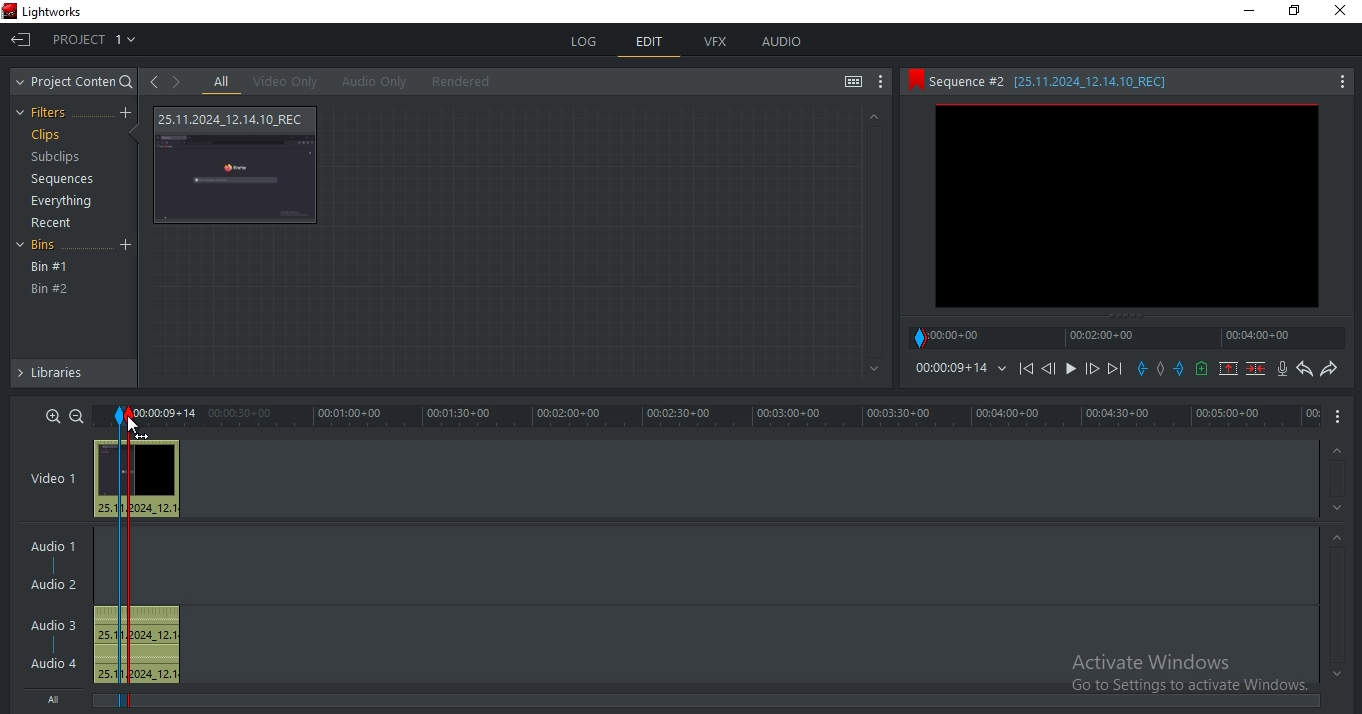  What do you see at coordinates (74, 12) in the screenshot?
I see `Lightworks` at bounding box center [74, 12].